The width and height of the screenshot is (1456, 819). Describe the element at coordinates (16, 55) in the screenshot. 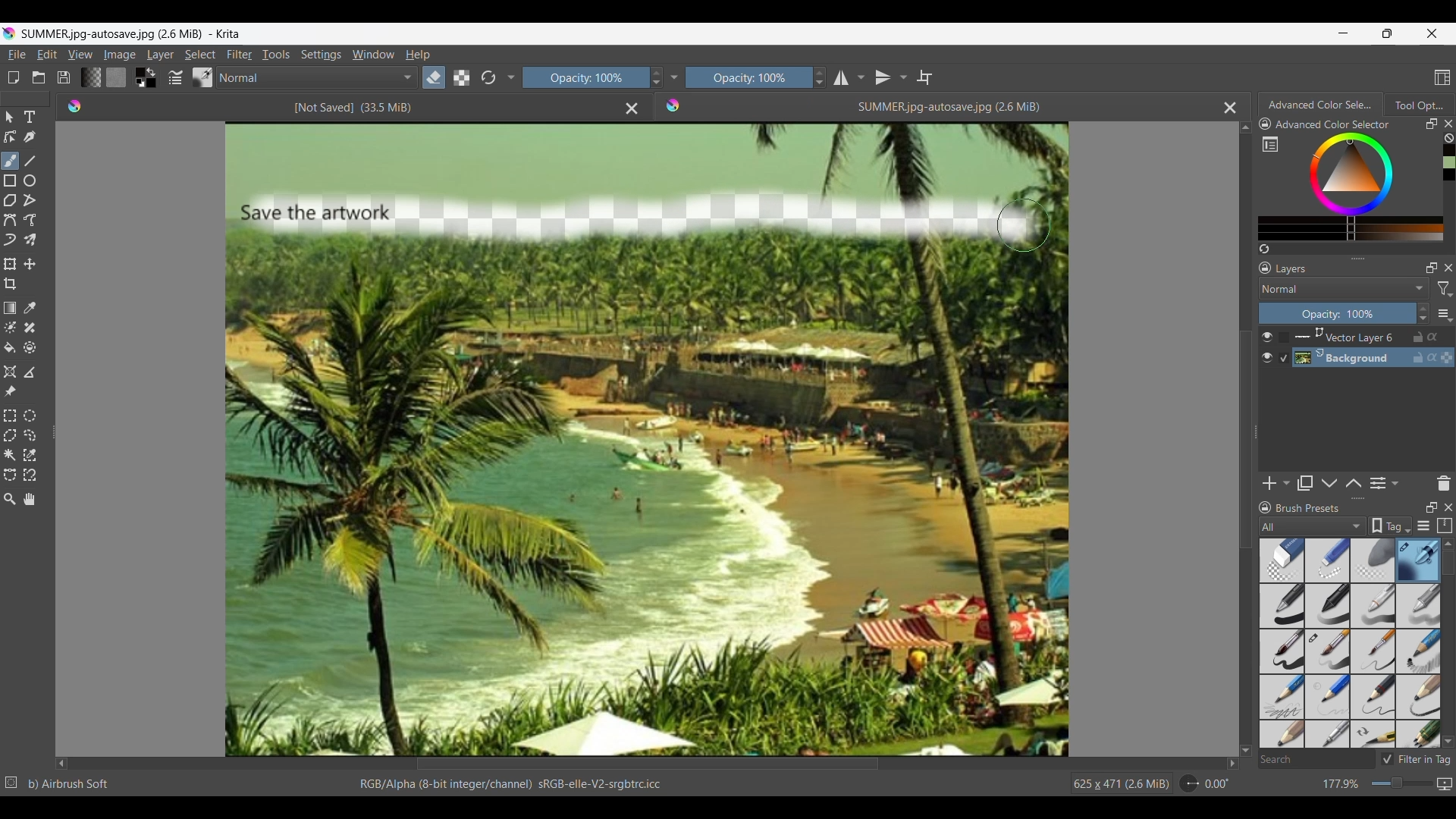

I see `File` at that location.